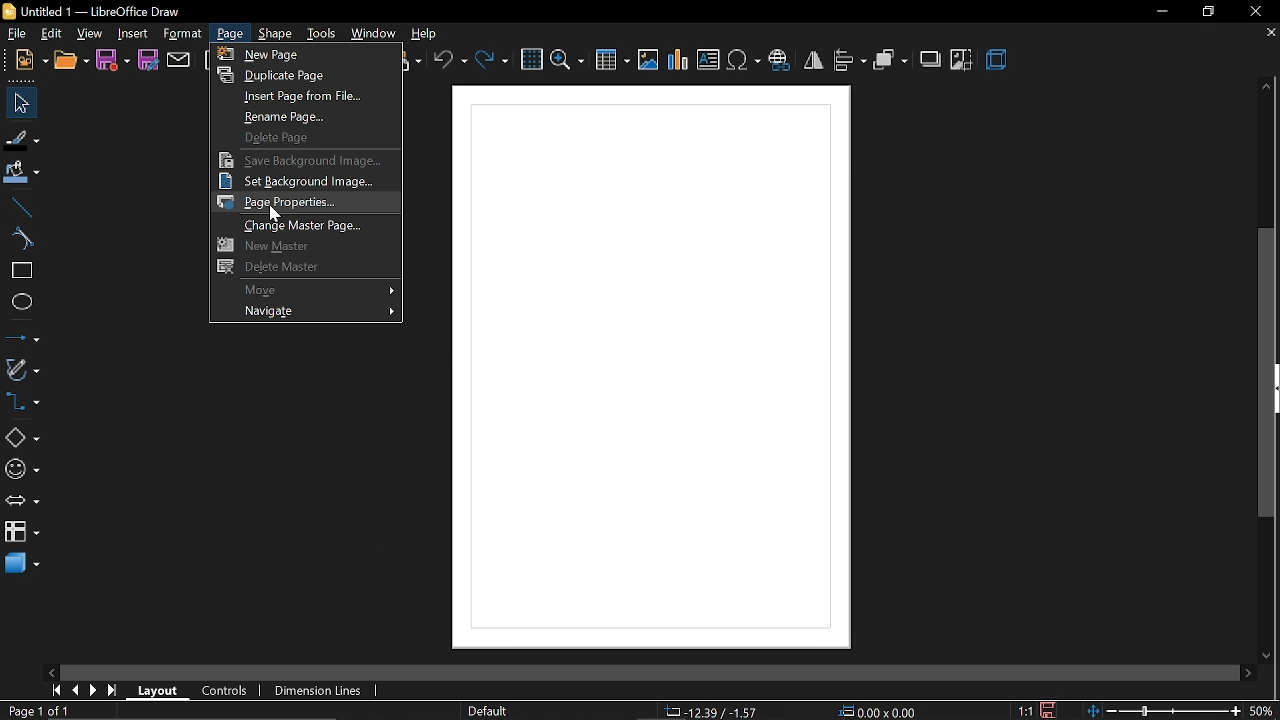 This screenshot has width=1280, height=720. What do you see at coordinates (114, 691) in the screenshot?
I see `go to last page` at bounding box center [114, 691].